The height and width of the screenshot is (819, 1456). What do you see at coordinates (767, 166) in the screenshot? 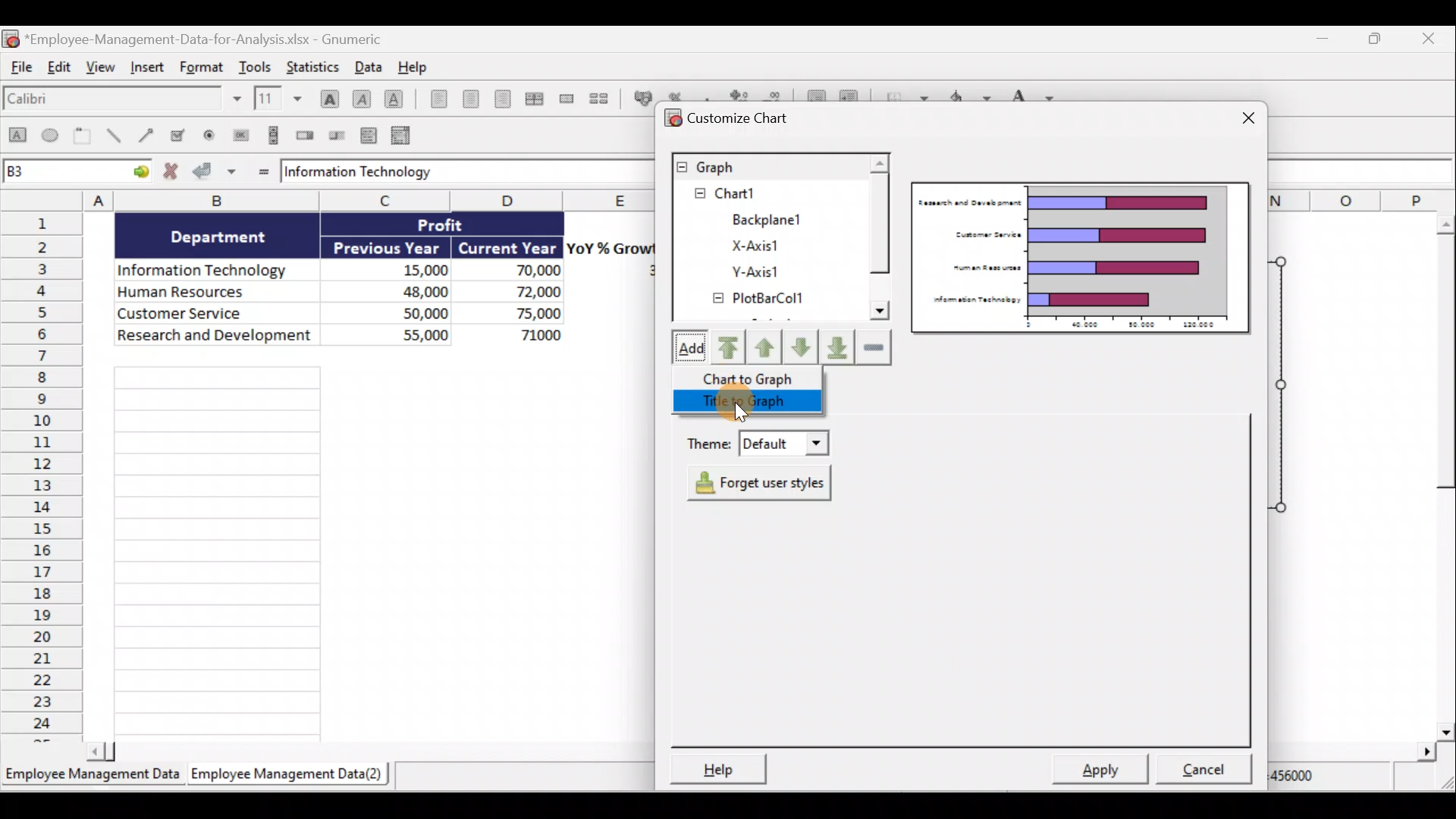
I see `Graph` at bounding box center [767, 166].